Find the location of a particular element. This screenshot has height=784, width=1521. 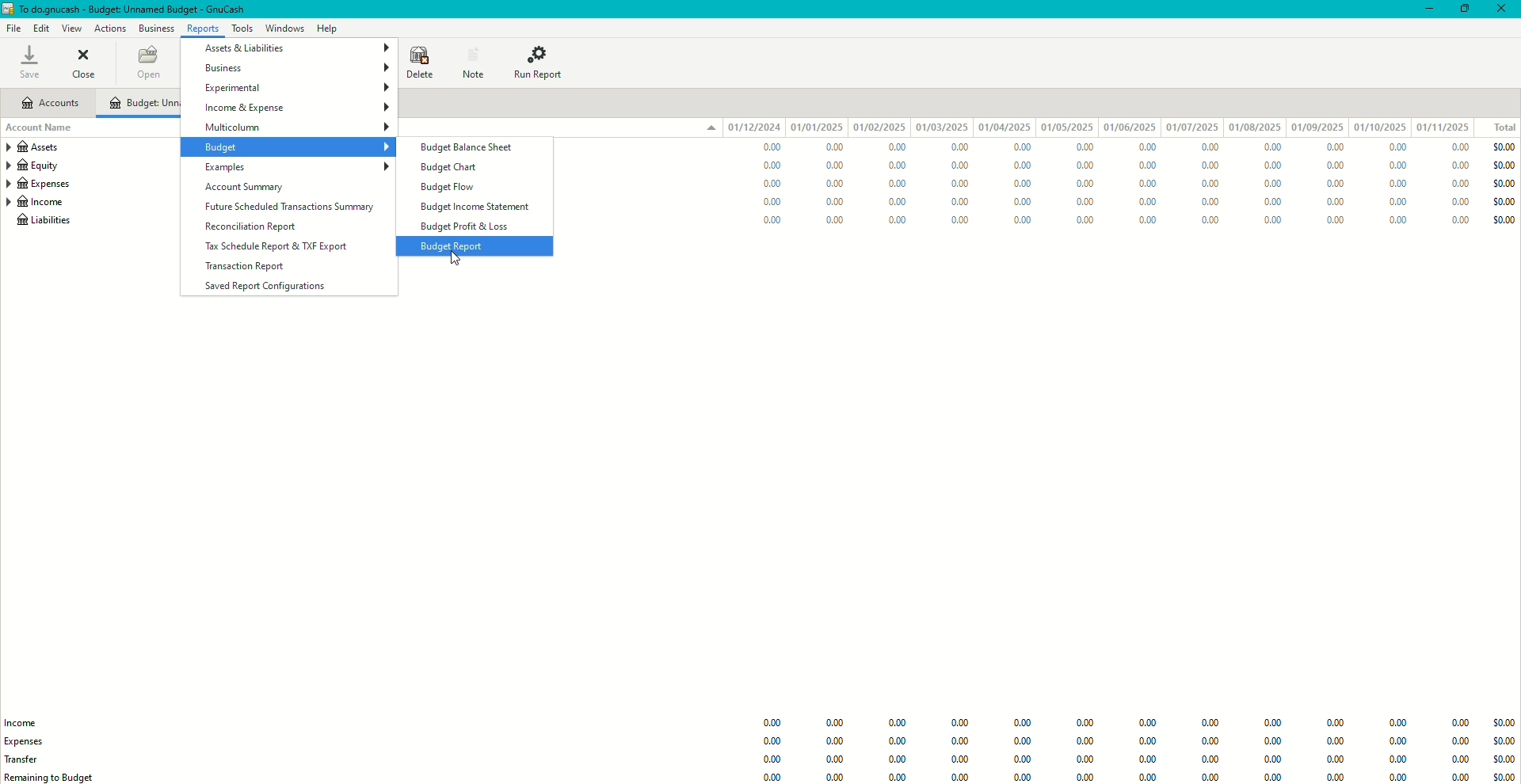

0.00 is located at coordinates (839, 202).